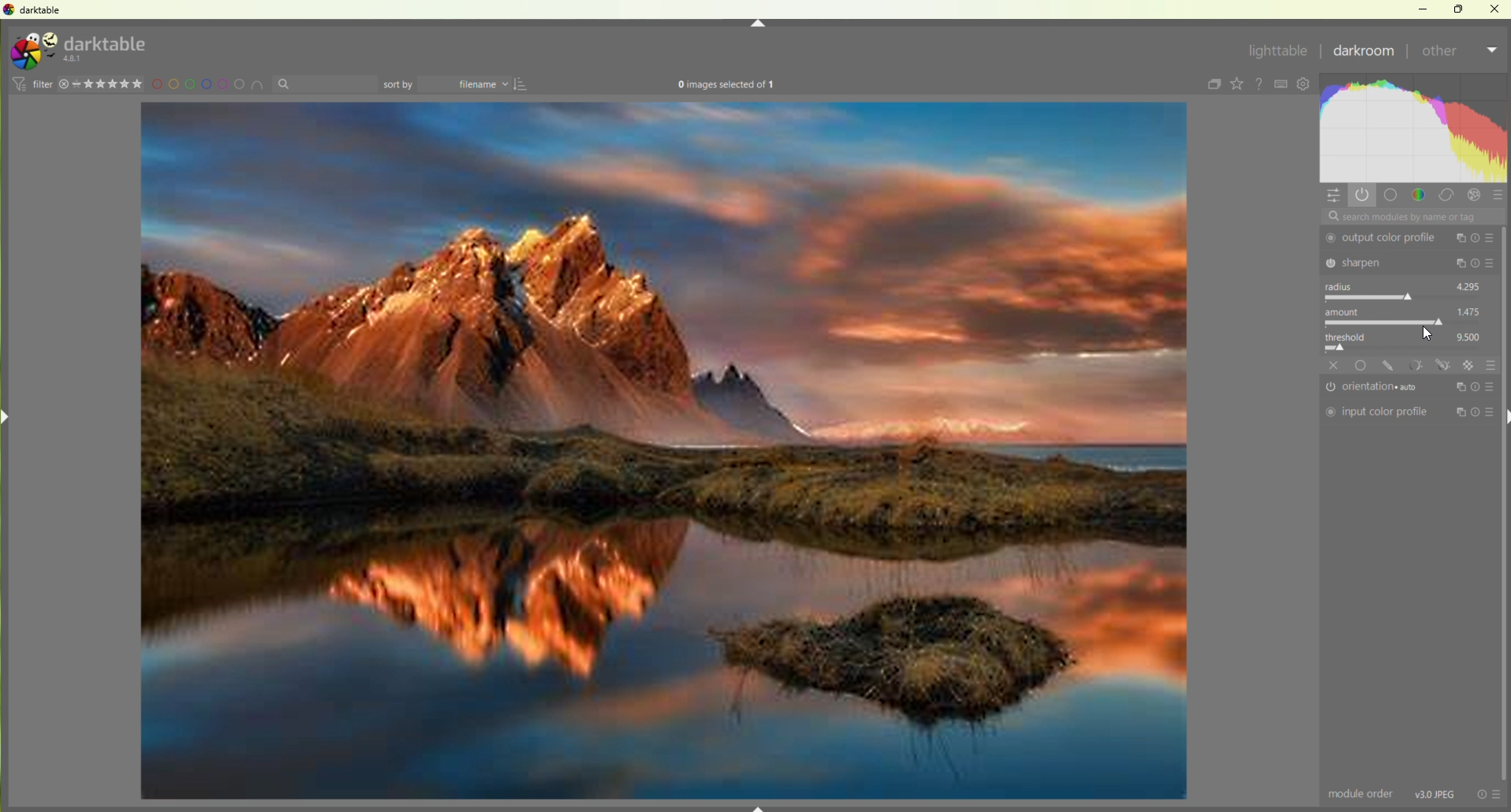 Image resolution: width=1511 pixels, height=812 pixels. Describe the element at coordinates (1458, 54) in the screenshot. I see `Other` at that location.